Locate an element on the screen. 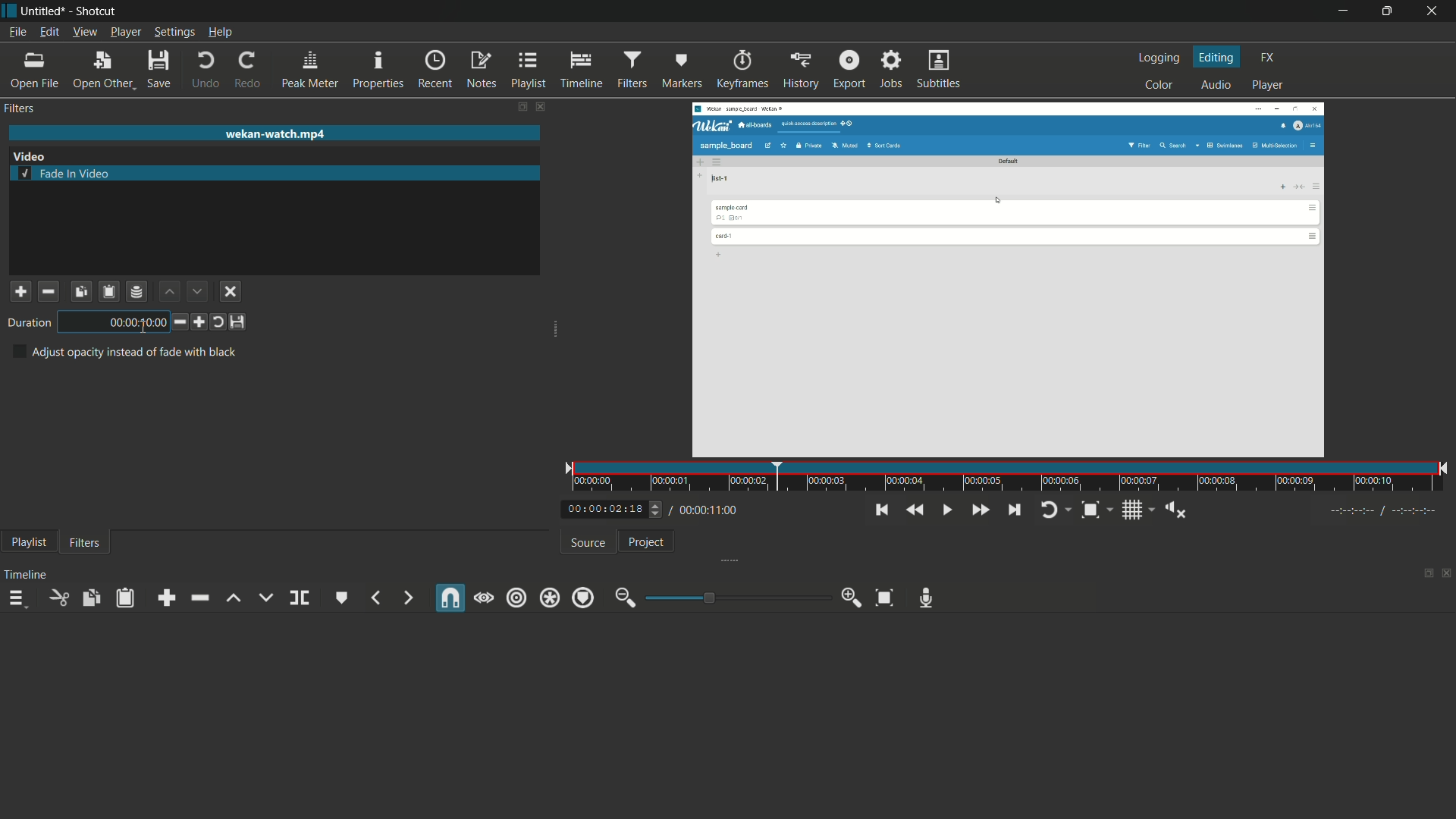 This screenshot has height=819, width=1456. app name is located at coordinates (93, 11).